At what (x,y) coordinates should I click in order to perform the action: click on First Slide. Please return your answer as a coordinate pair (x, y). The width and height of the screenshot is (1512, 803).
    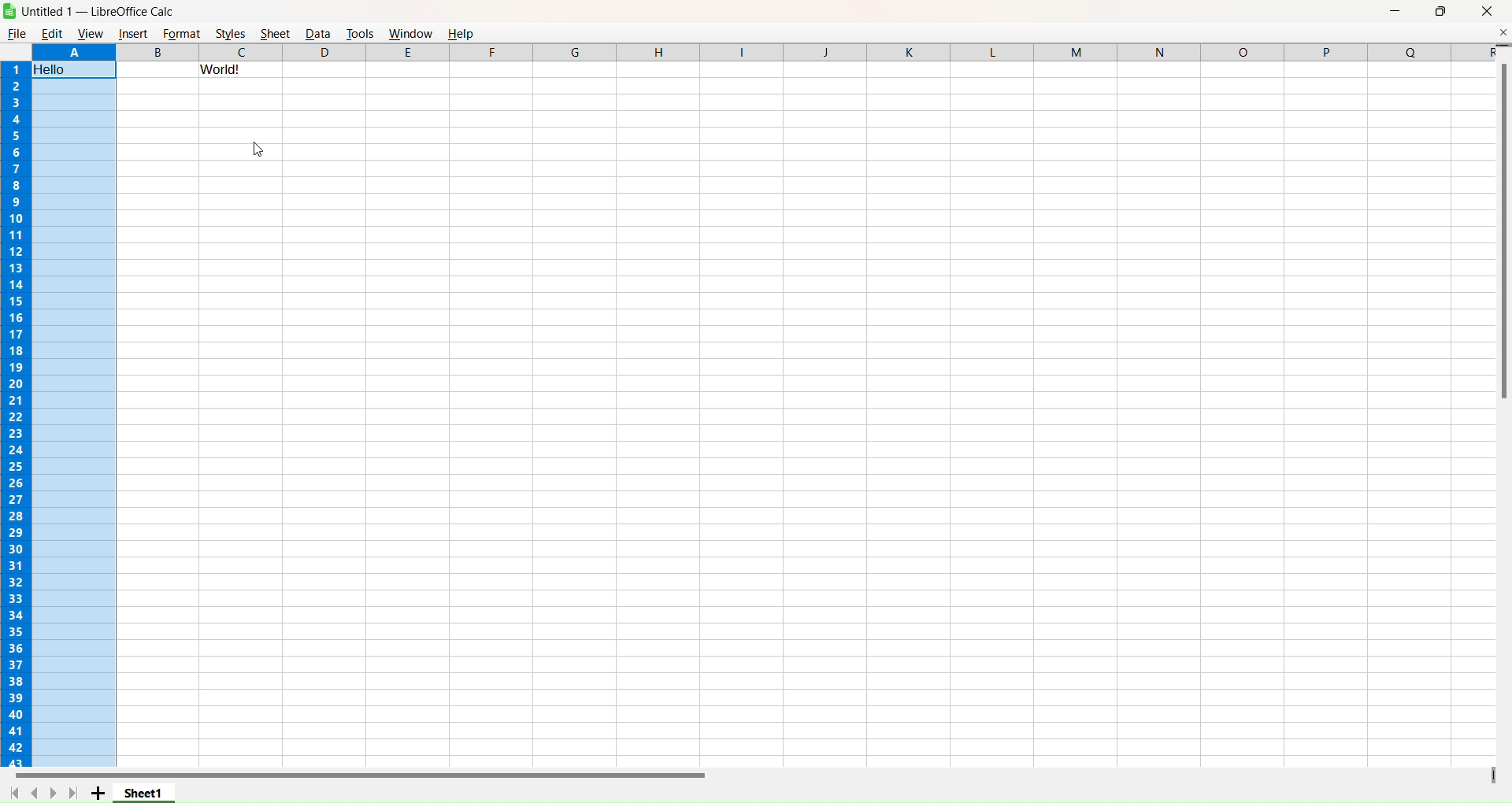
    Looking at the image, I should click on (15, 792).